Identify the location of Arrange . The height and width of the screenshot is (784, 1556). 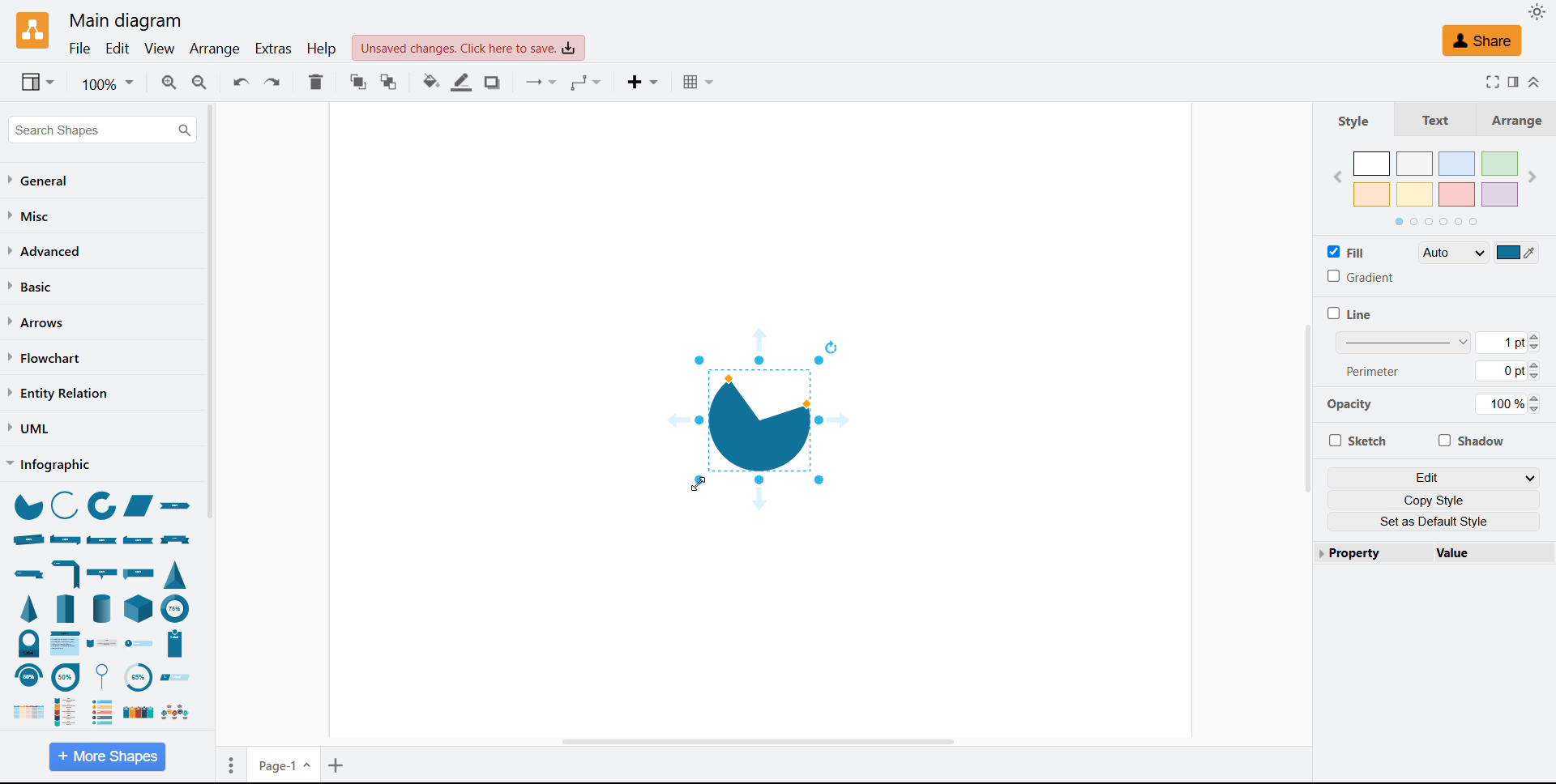
(1511, 119).